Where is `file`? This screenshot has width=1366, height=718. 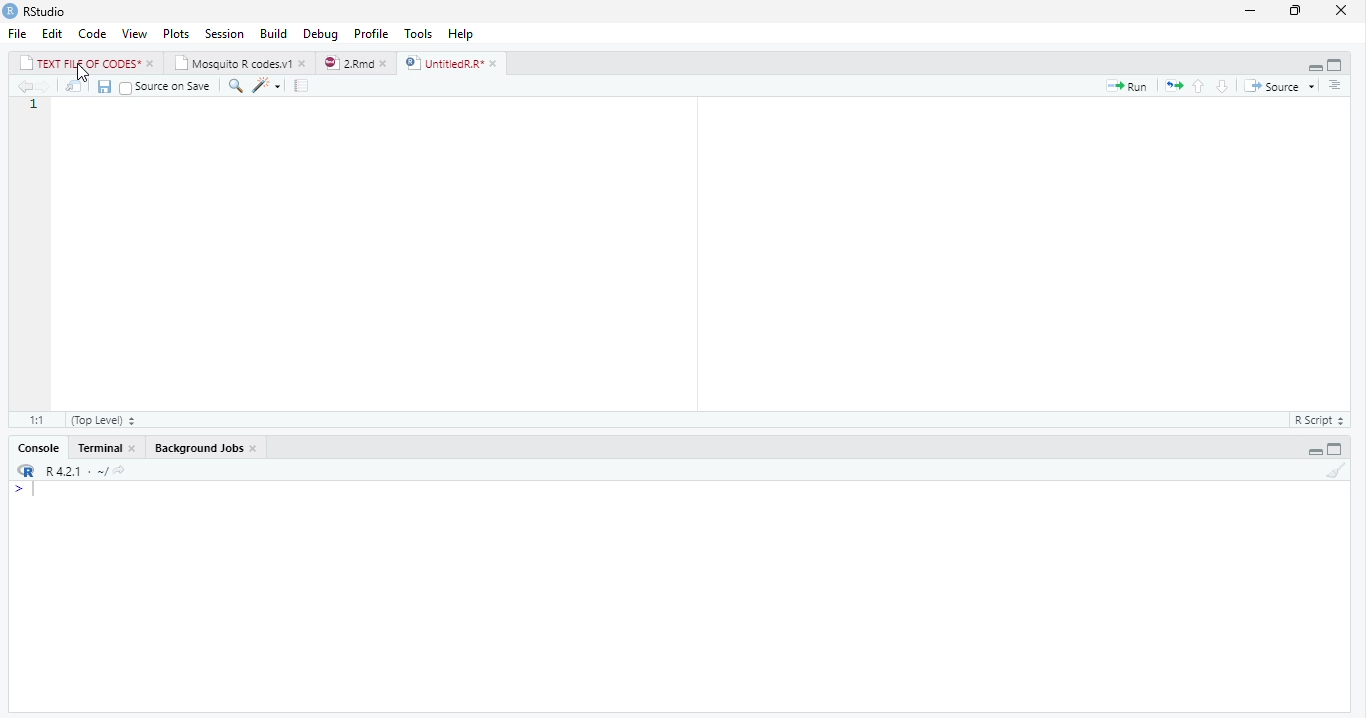
file is located at coordinates (18, 33).